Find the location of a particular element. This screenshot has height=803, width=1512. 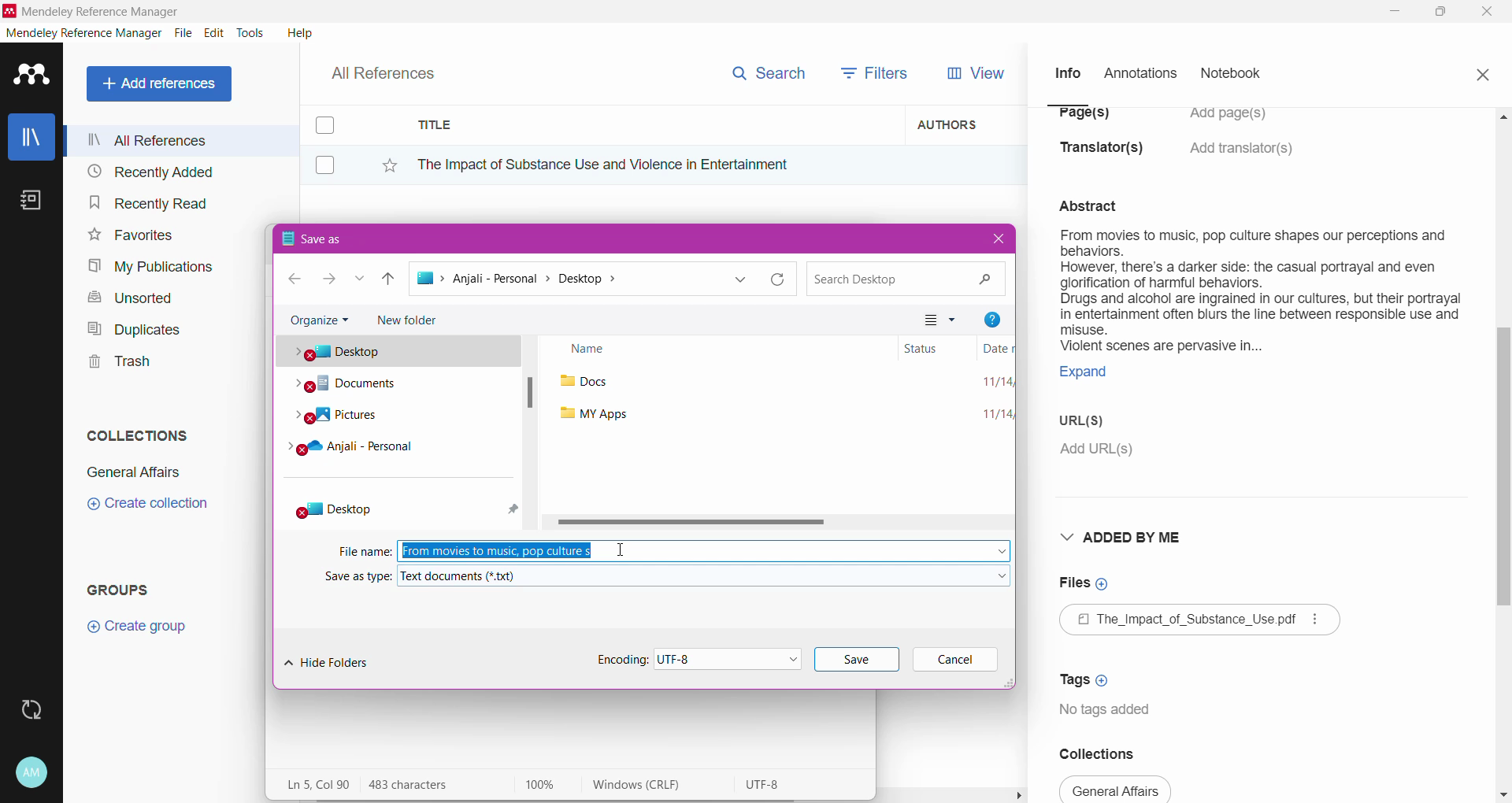

Horizontal Scrol Bar is located at coordinates (783, 524).